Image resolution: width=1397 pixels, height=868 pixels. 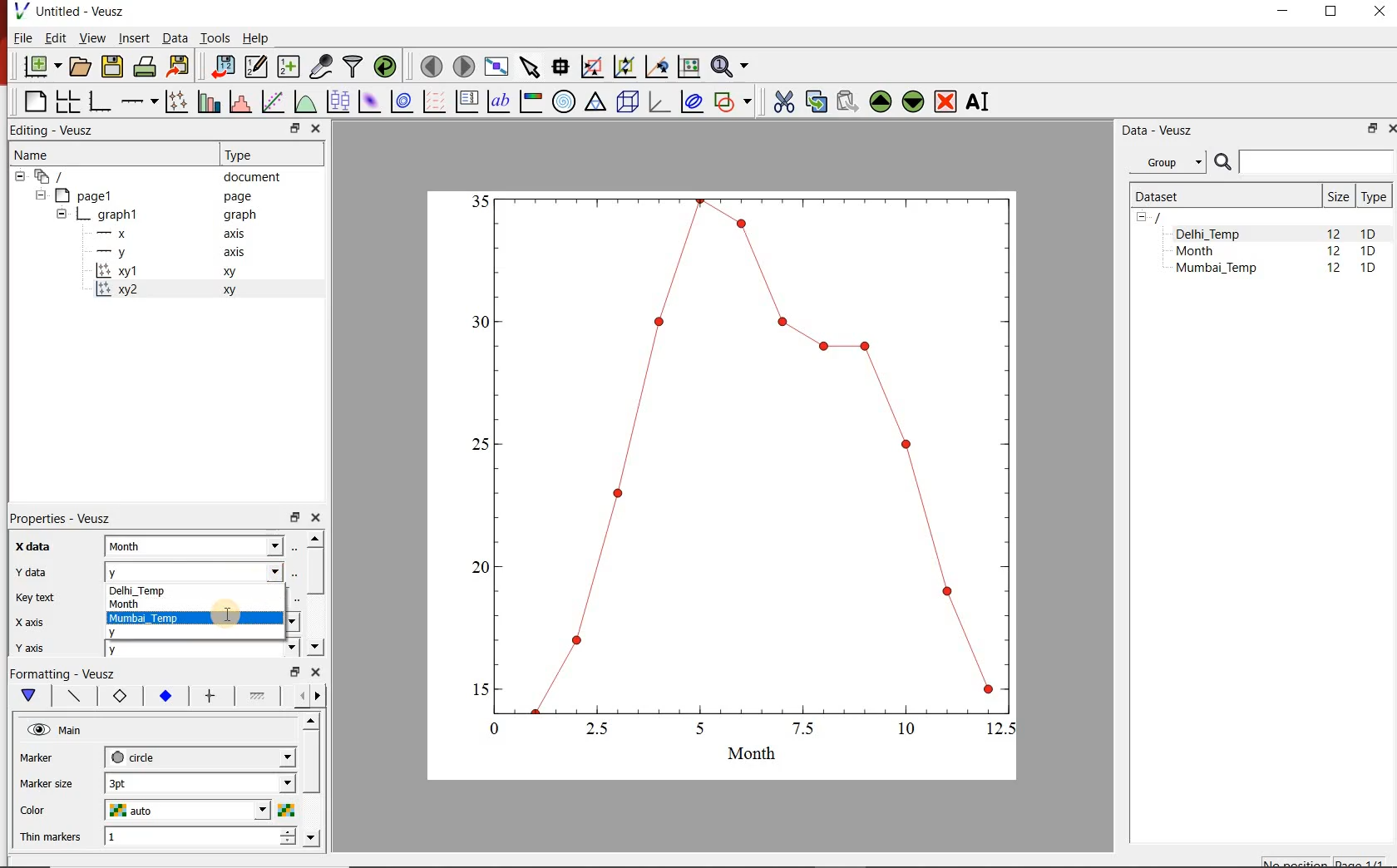 What do you see at coordinates (228, 614) in the screenshot?
I see `cursor` at bounding box center [228, 614].